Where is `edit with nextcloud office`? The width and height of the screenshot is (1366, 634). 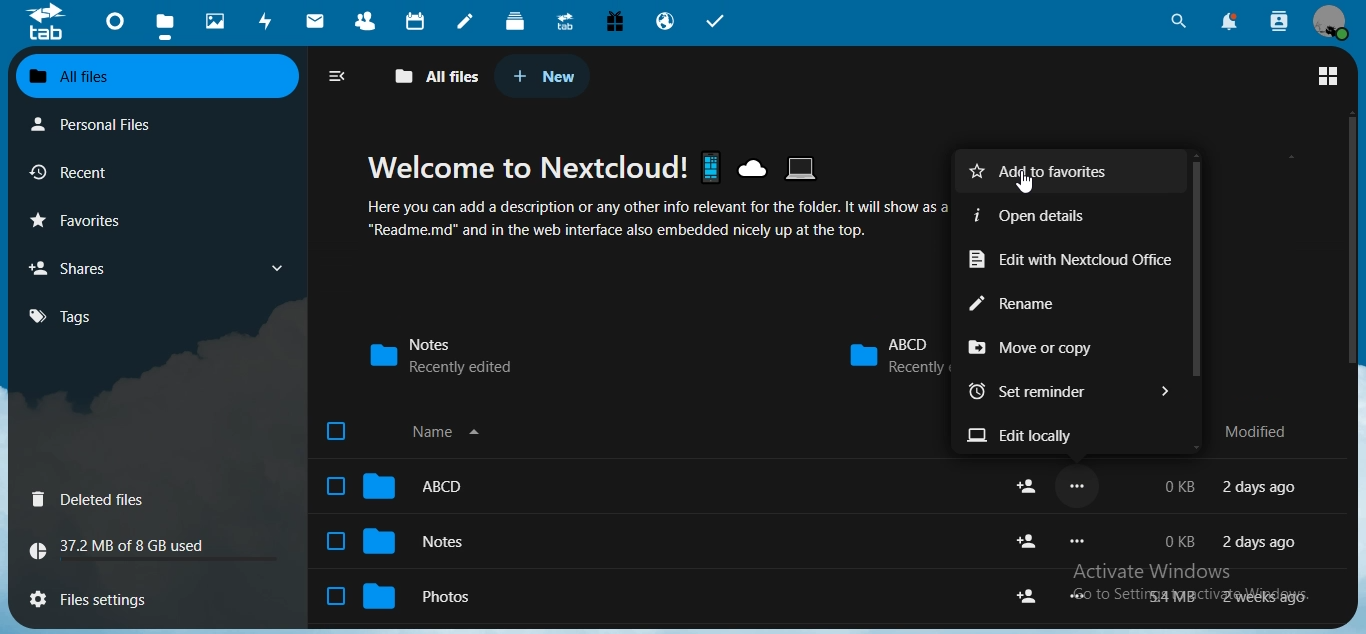 edit with nextcloud office is located at coordinates (1071, 260).